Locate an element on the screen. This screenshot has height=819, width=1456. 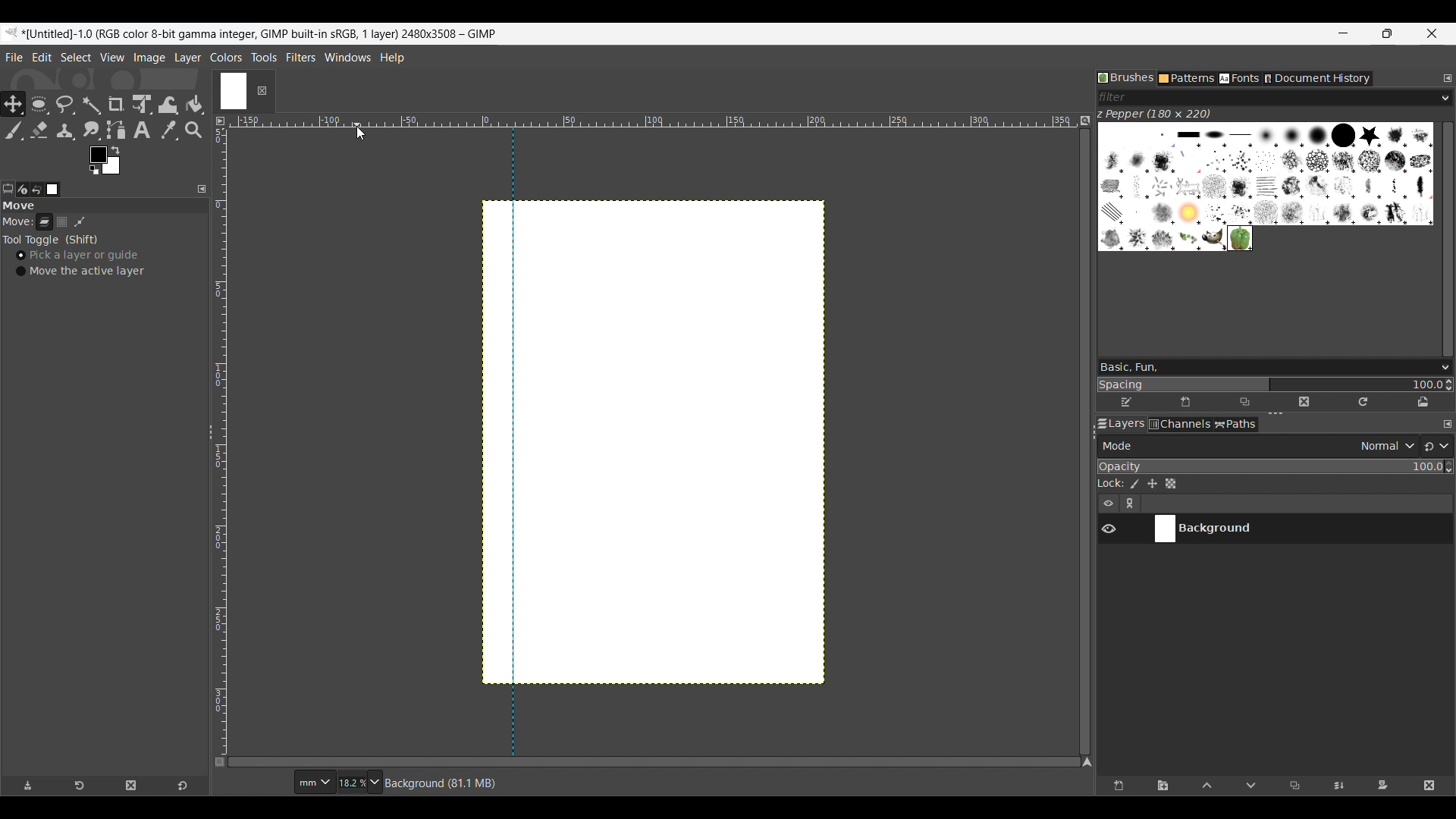
Merge layer with first visible layer below it is located at coordinates (1338, 786).